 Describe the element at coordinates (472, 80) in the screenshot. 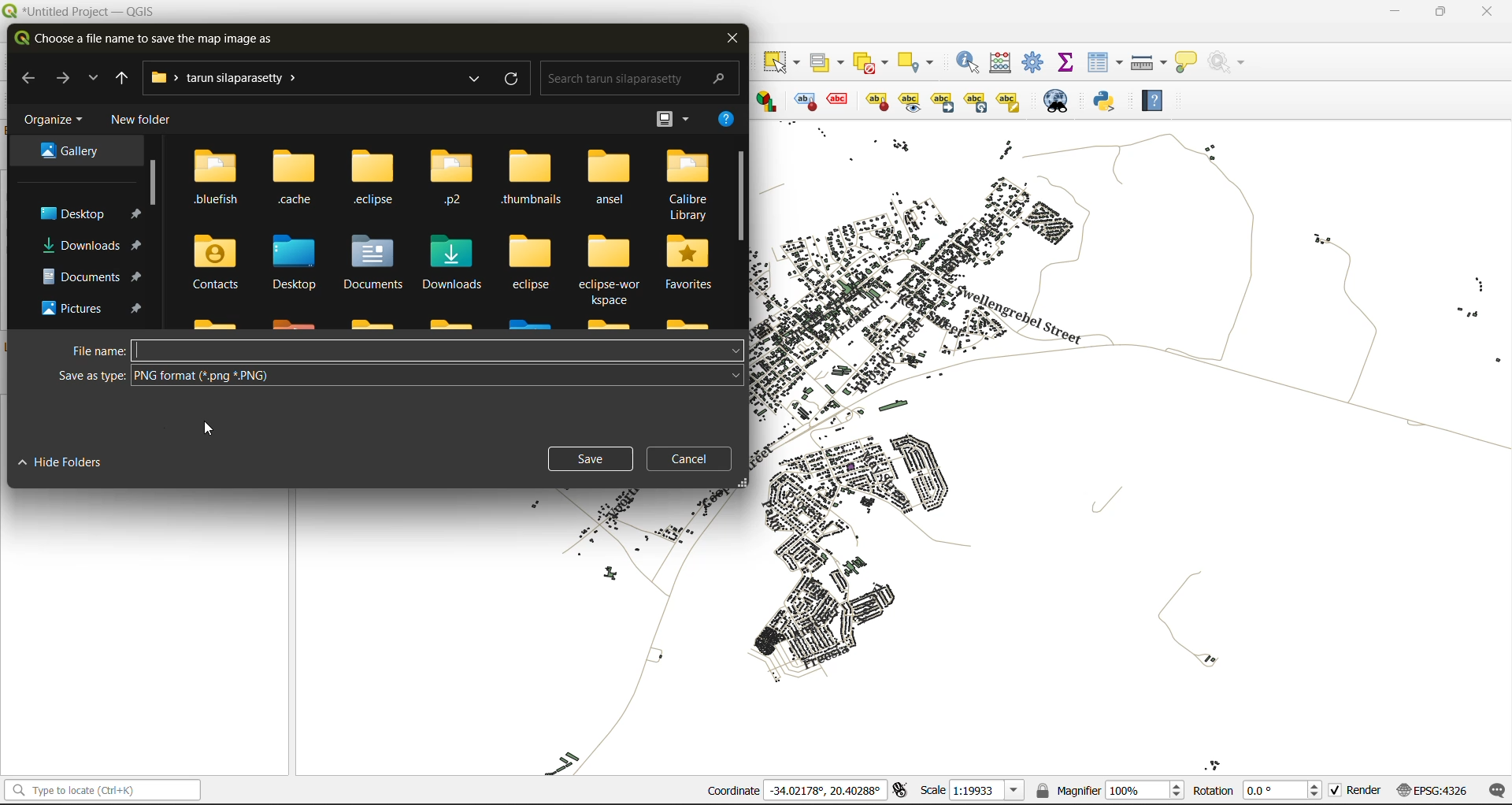

I see `explore` at that location.